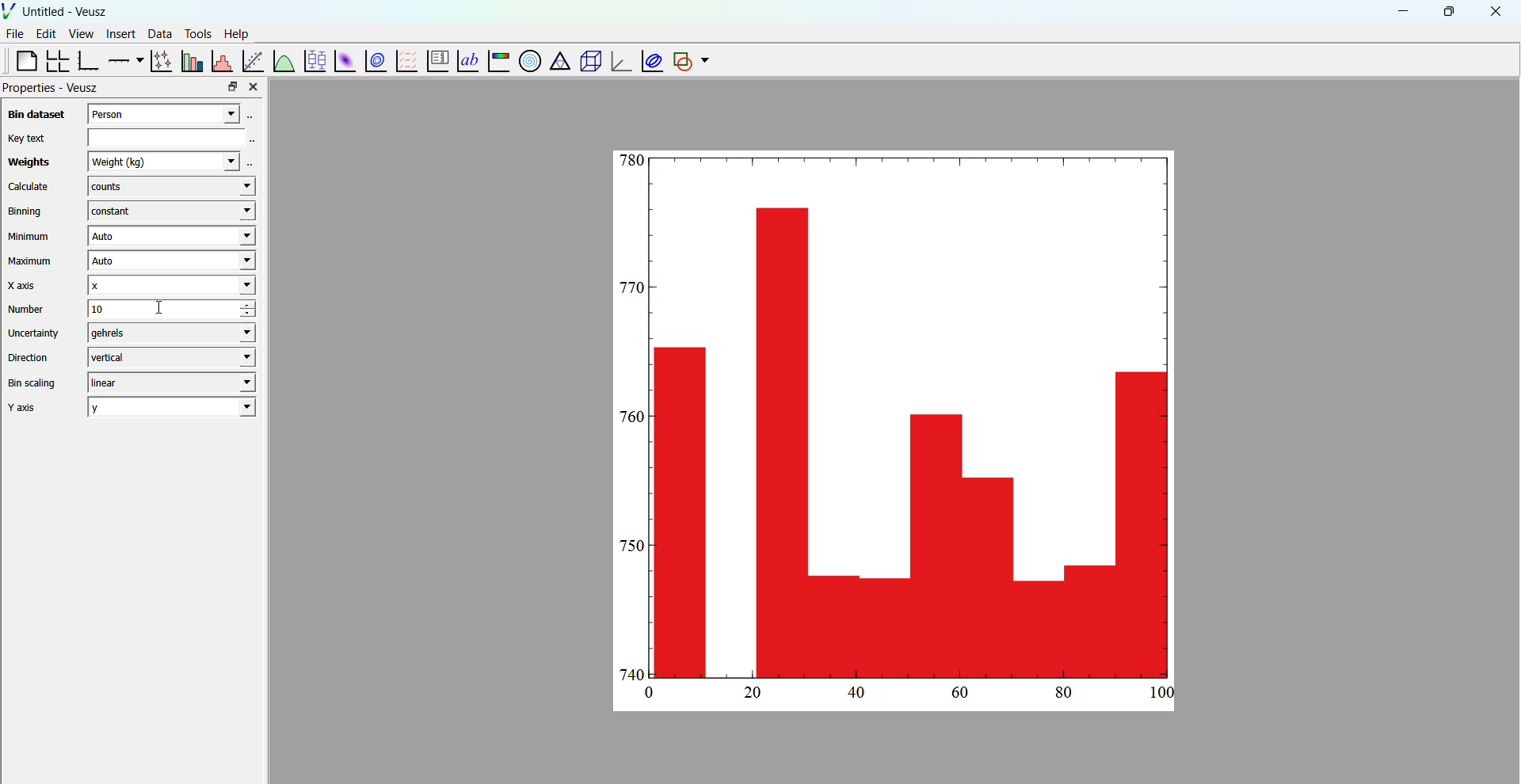 This screenshot has width=1521, height=784. I want to click on plot bar chats, so click(190, 61).